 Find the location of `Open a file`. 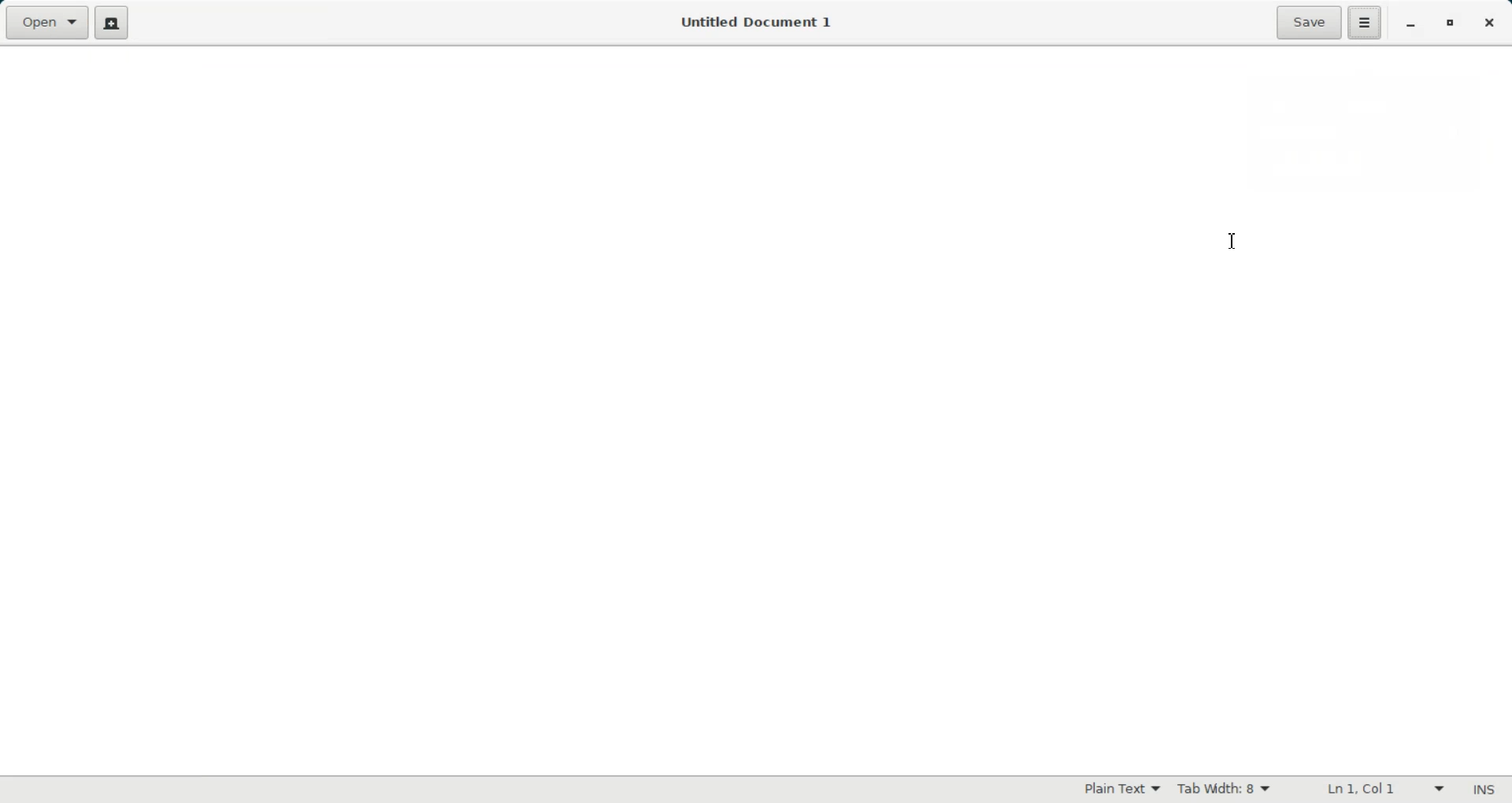

Open a file is located at coordinates (47, 23).